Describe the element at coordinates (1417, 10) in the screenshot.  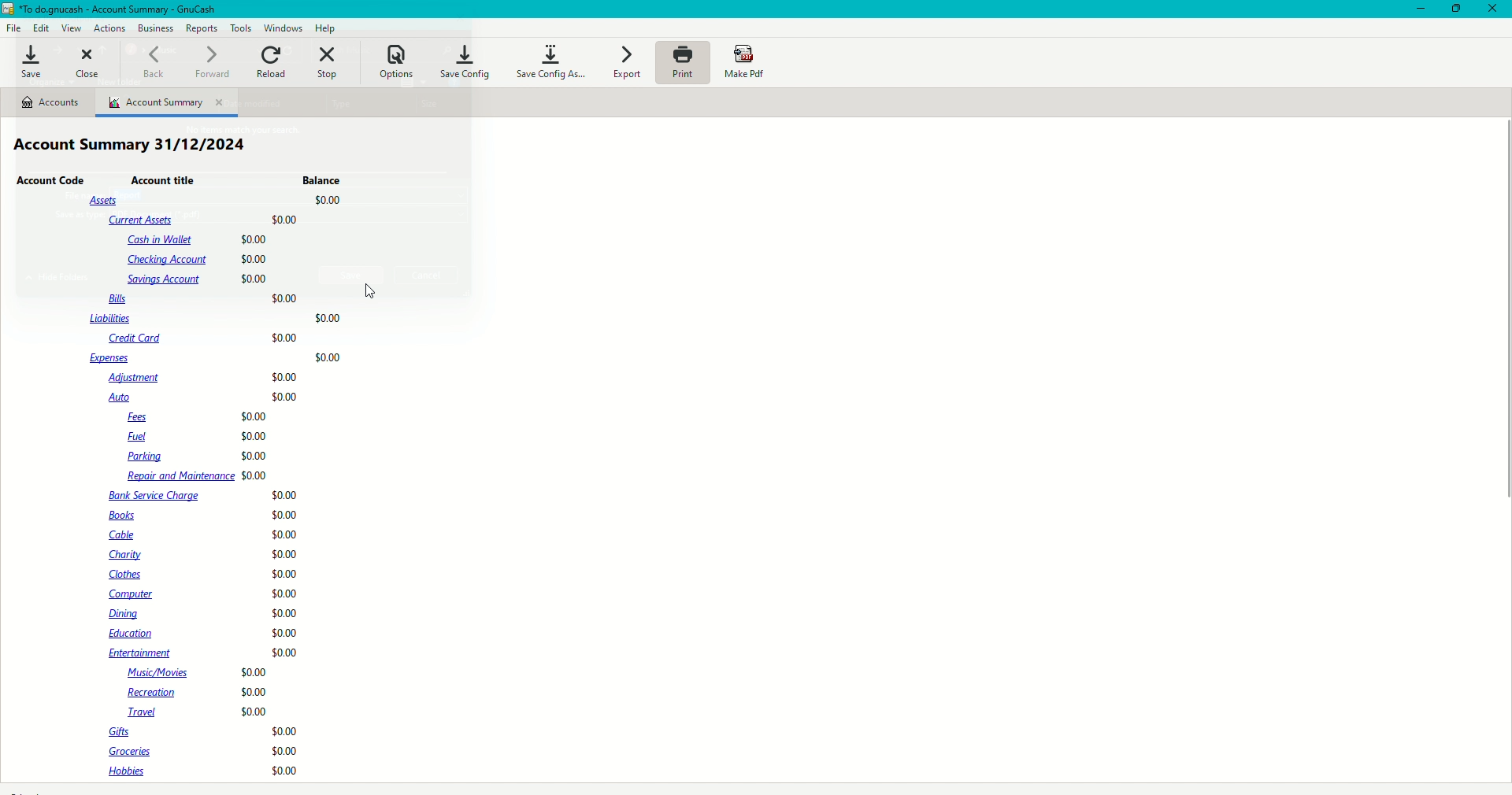
I see `Minimize` at that location.